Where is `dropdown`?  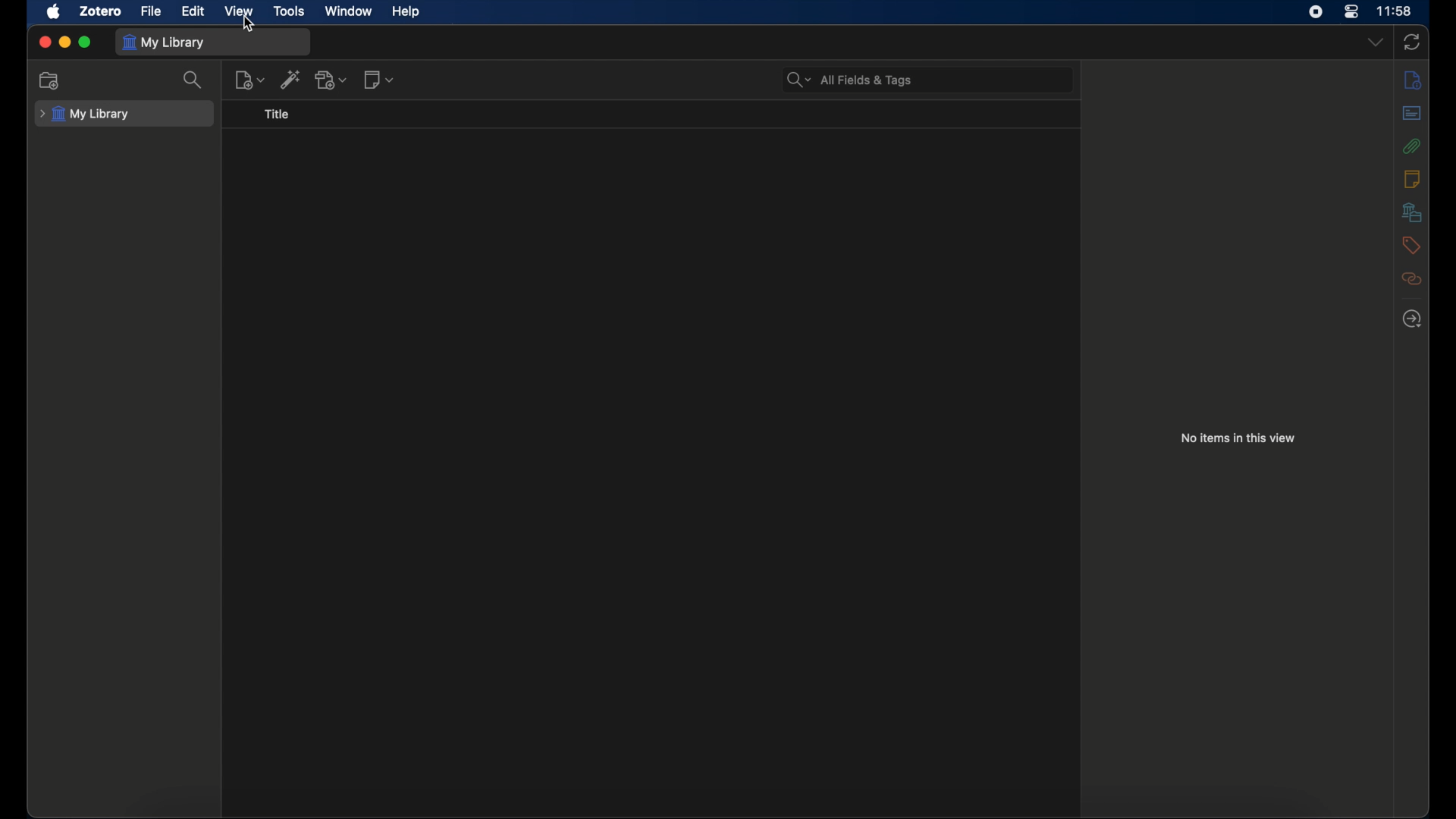 dropdown is located at coordinates (1376, 42).